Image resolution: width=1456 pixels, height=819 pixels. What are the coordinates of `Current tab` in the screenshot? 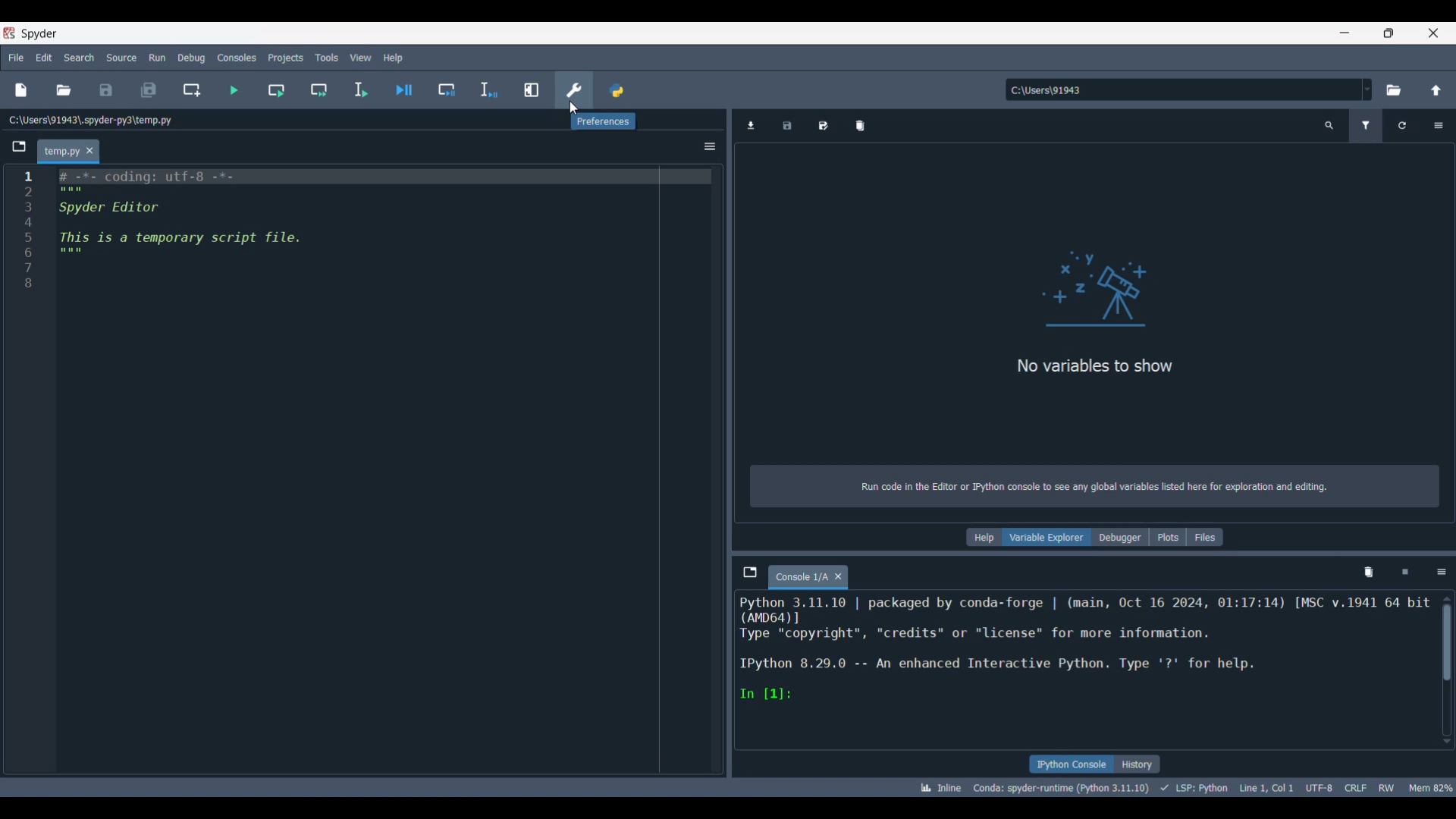 It's located at (61, 152).